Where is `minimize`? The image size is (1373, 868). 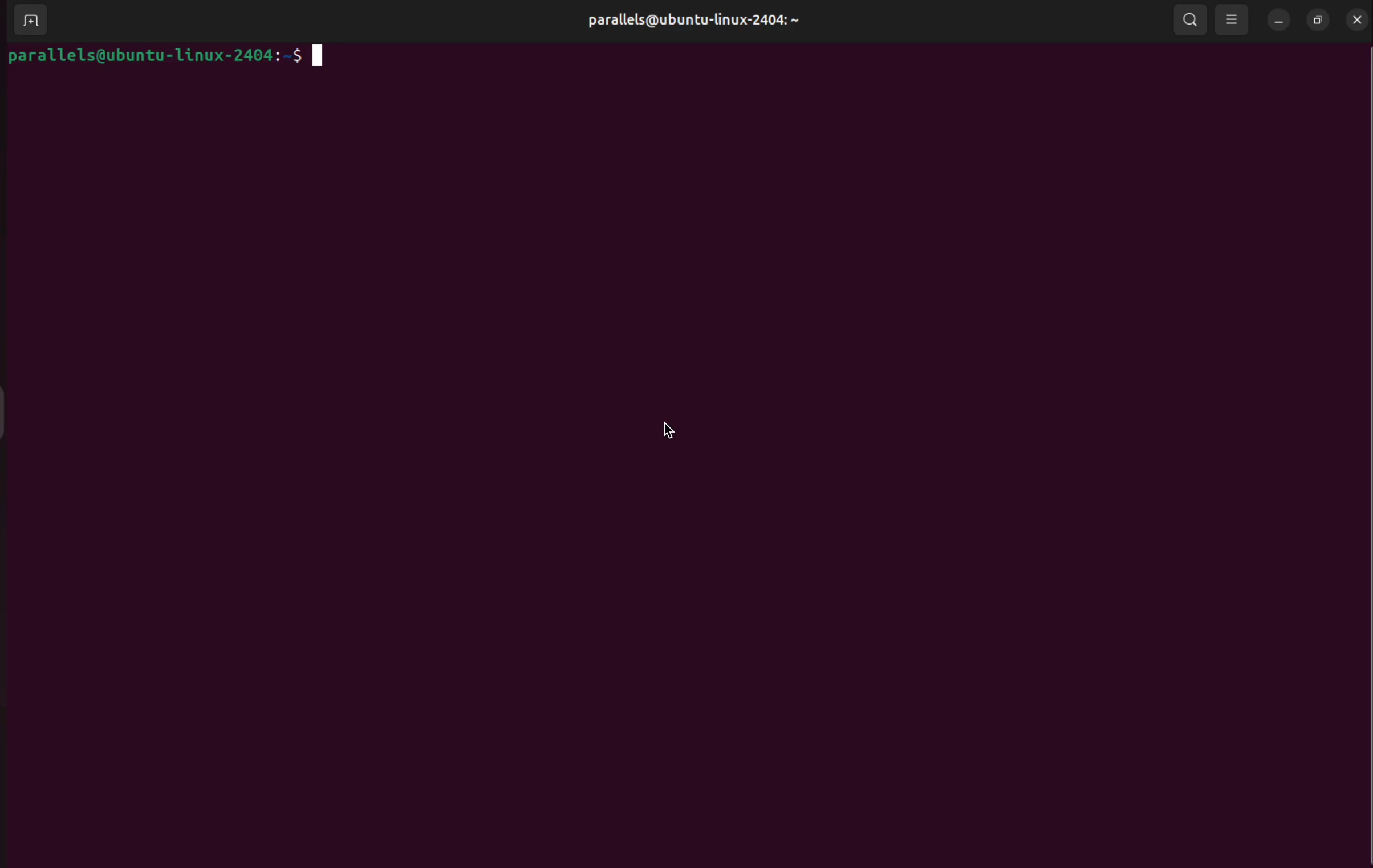
minimize is located at coordinates (1278, 21).